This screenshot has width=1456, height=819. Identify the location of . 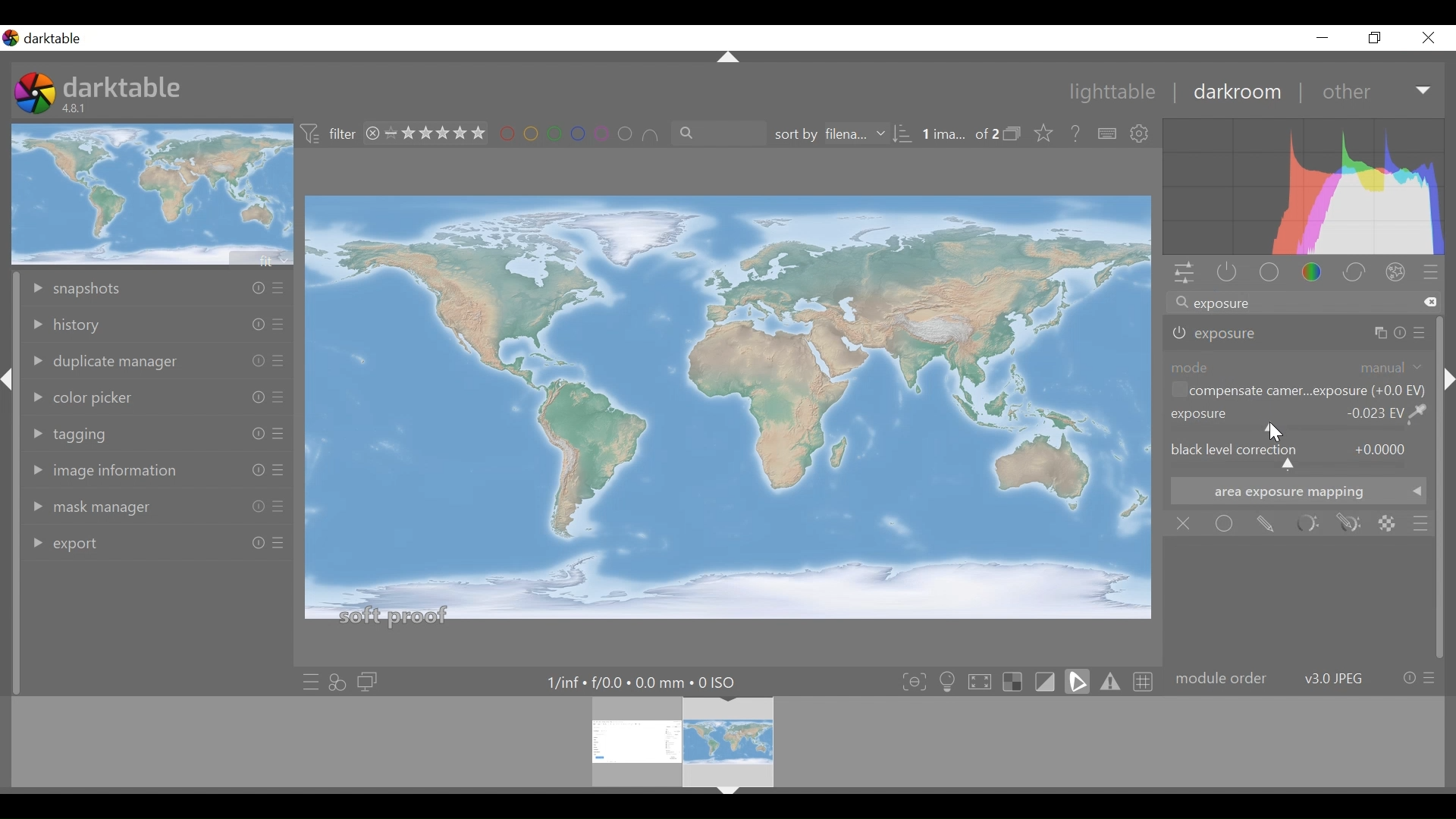
(249, 396).